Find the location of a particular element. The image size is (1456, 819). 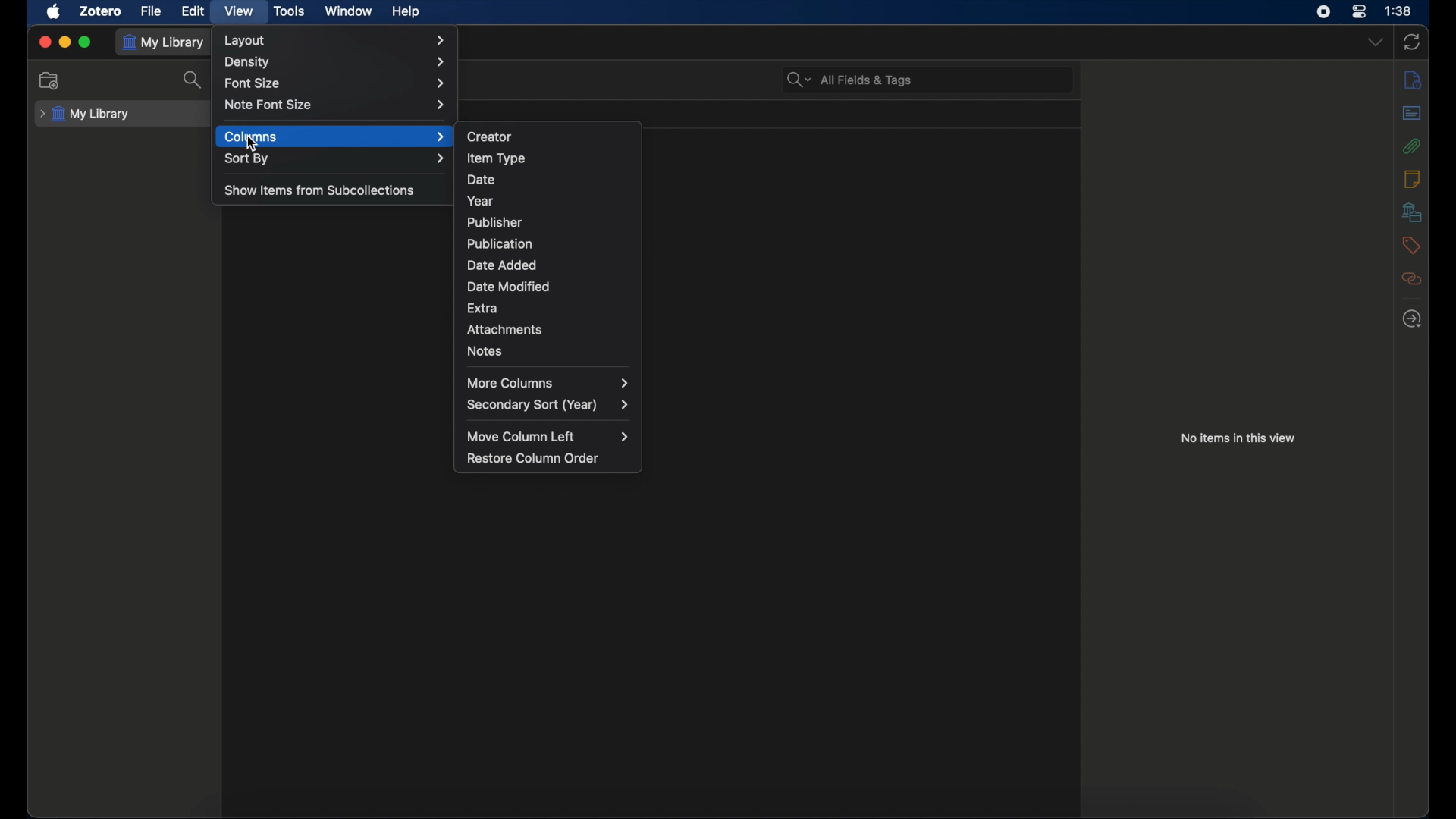

related is located at coordinates (1412, 278).